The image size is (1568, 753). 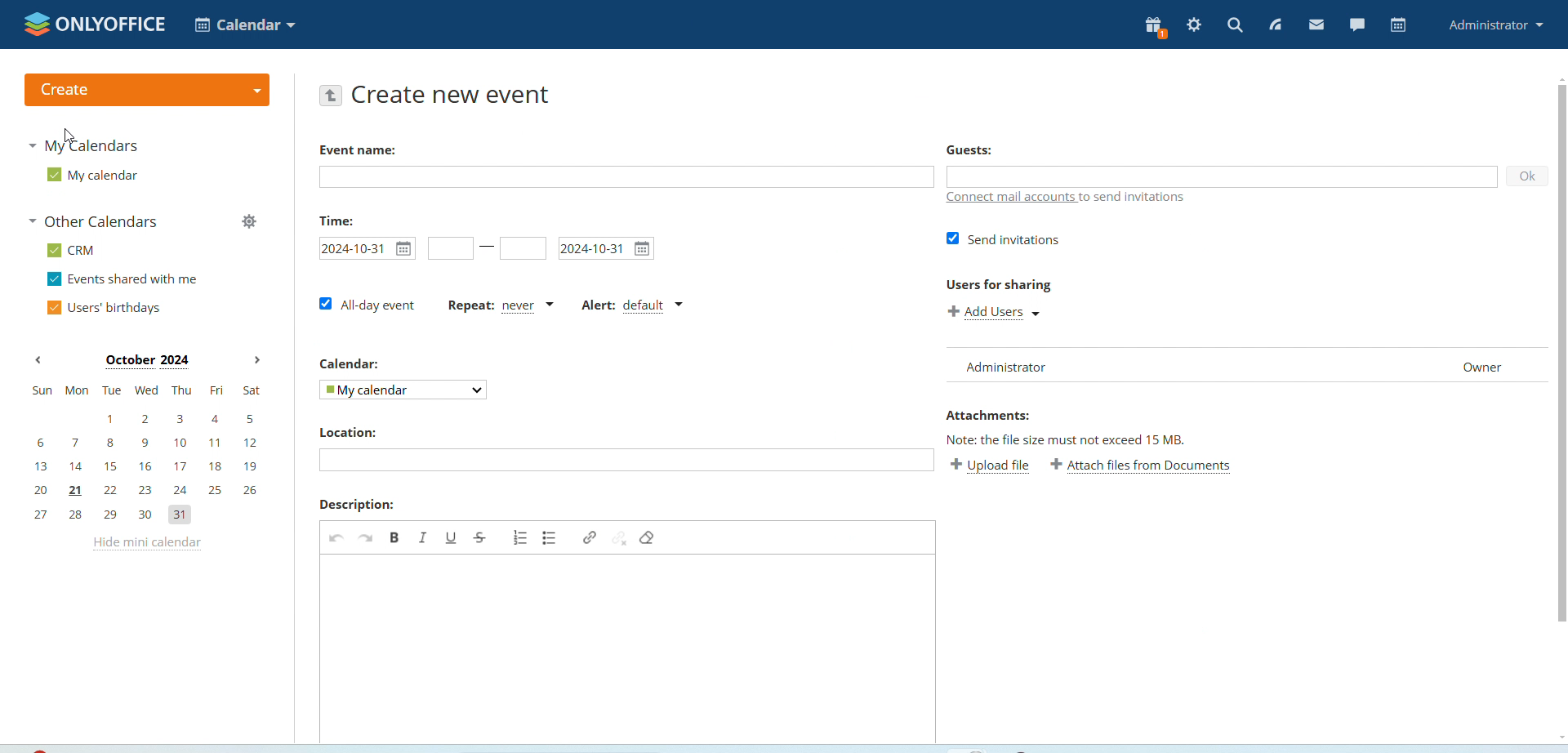 I want to click on scroll down, so click(x=1560, y=737).